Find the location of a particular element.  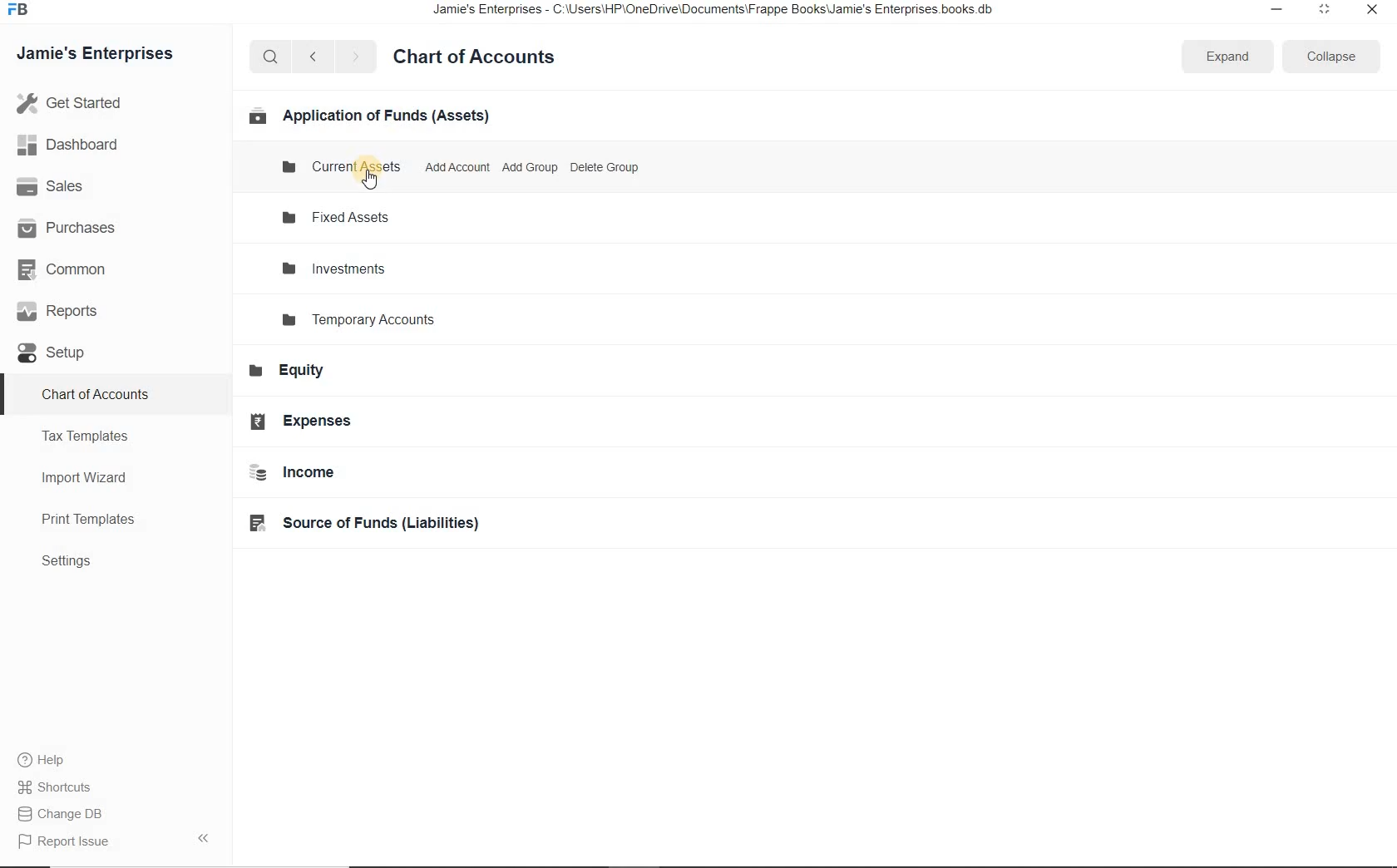

Tax Templates is located at coordinates (91, 436).